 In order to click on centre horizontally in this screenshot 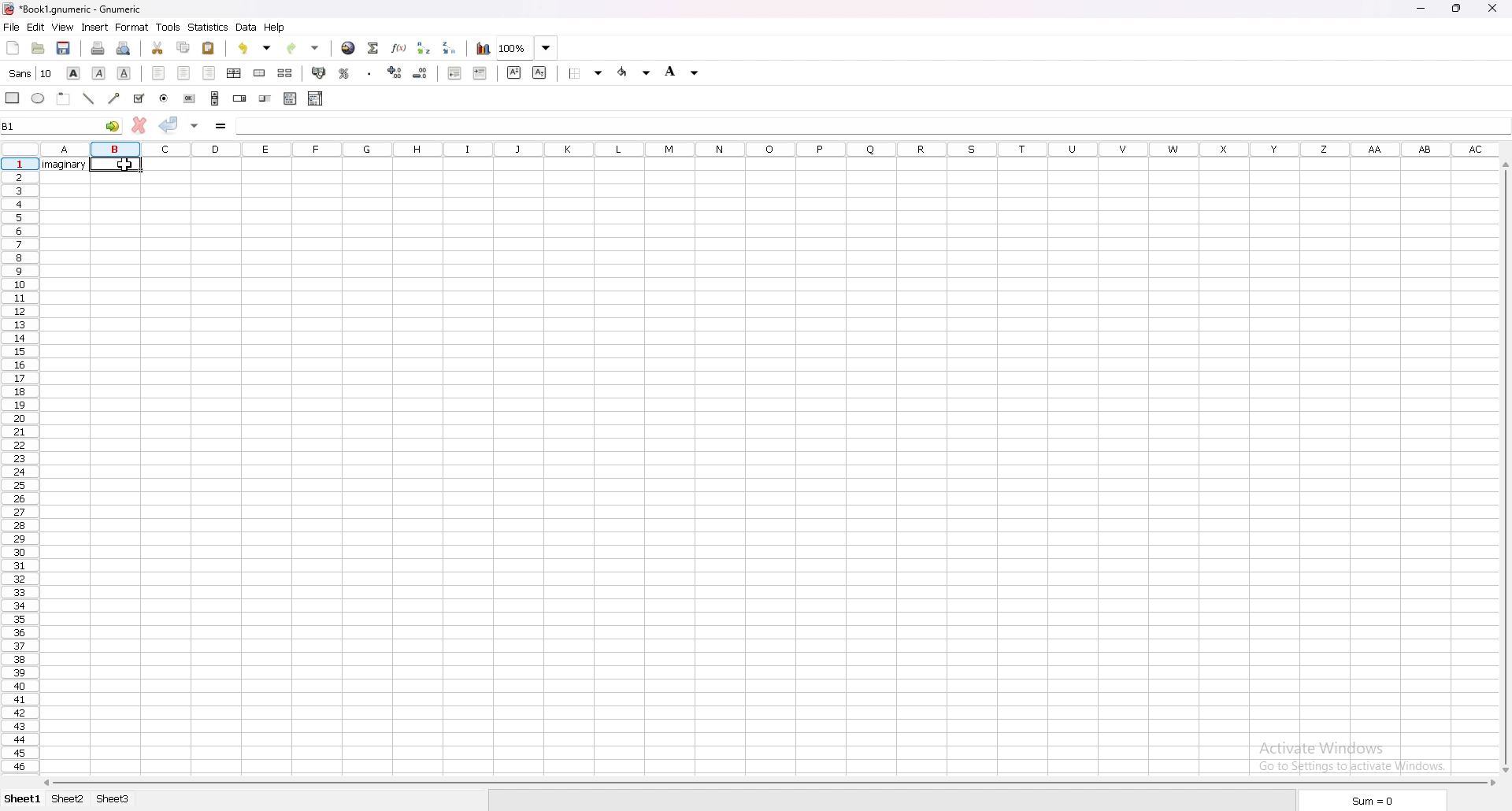, I will do `click(235, 73)`.